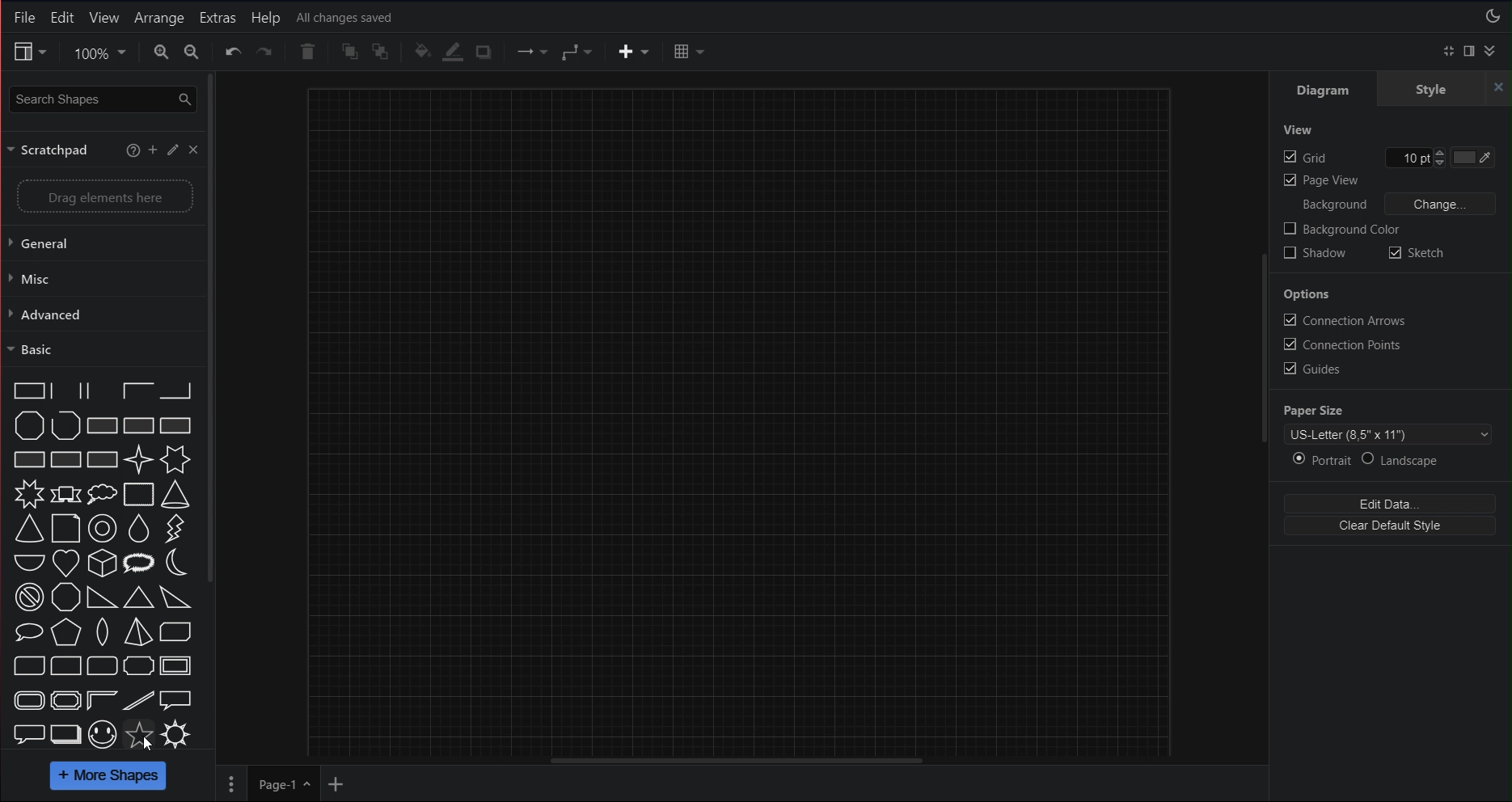 The height and width of the screenshot is (802, 1512). Describe the element at coordinates (105, 196) in the screenshot. I see `Drag elements here` at that location.